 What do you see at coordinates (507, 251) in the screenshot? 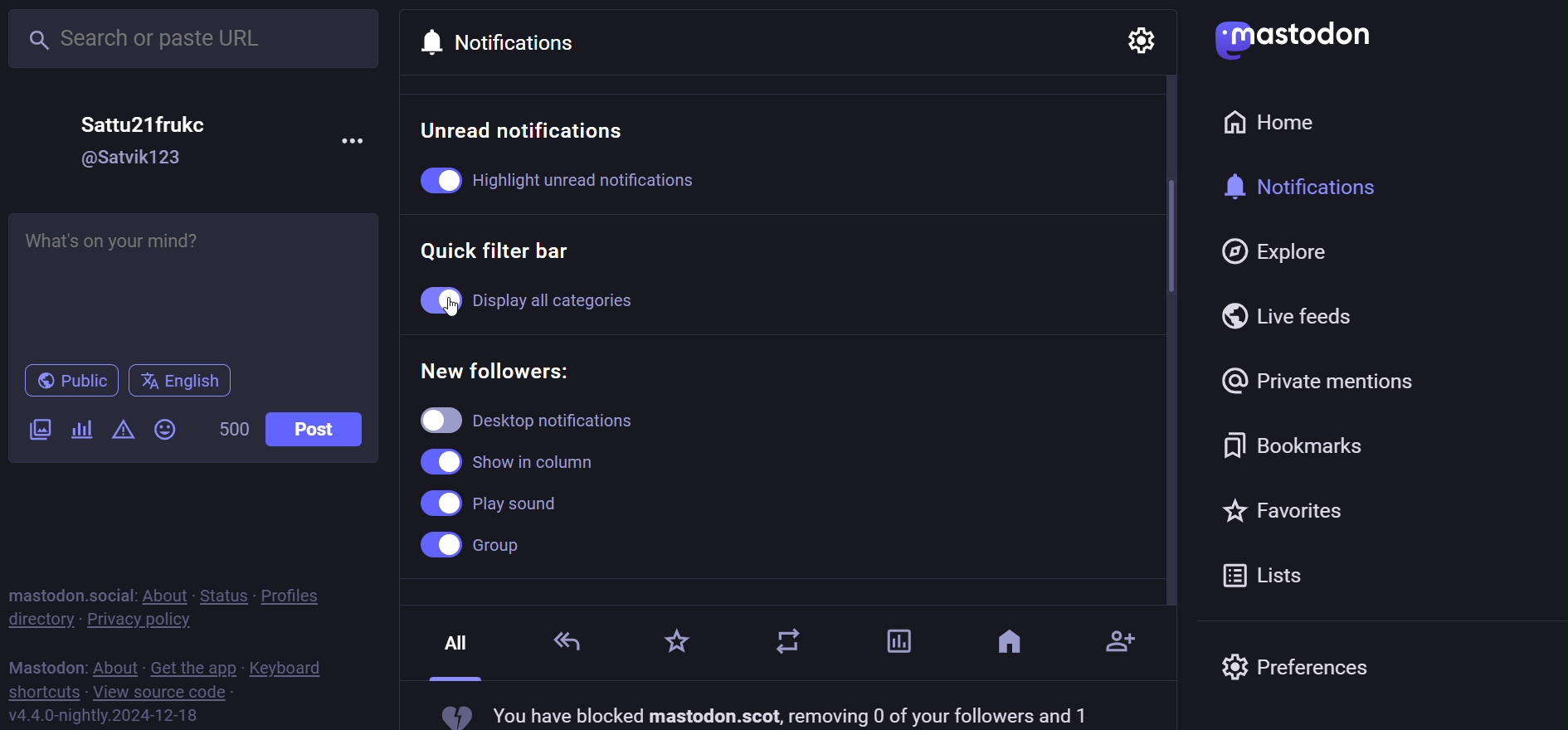
I see `quick filter bar` at bounding box center [507, 251].